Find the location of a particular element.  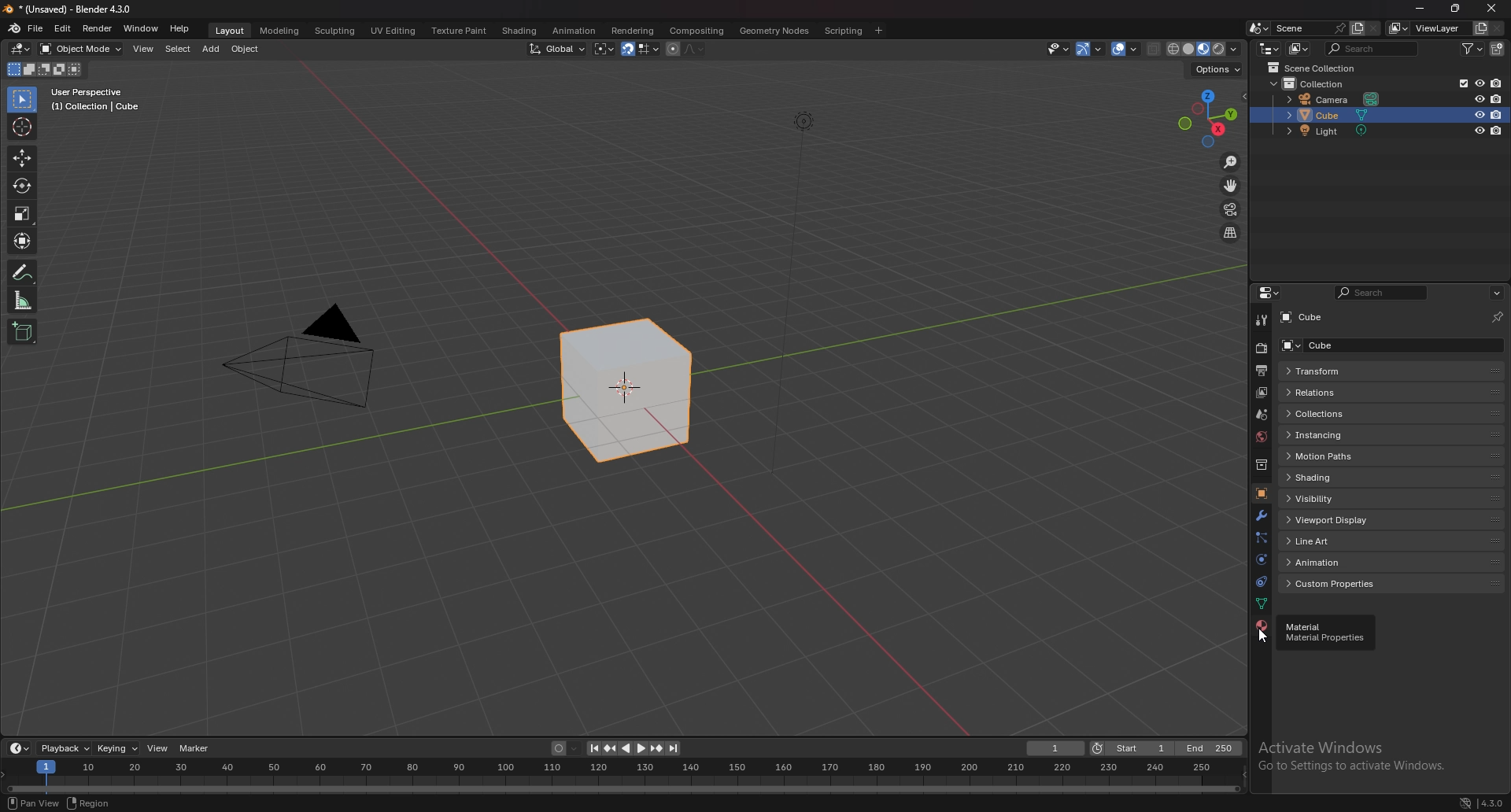

blender is located at coordinates (15, 28).